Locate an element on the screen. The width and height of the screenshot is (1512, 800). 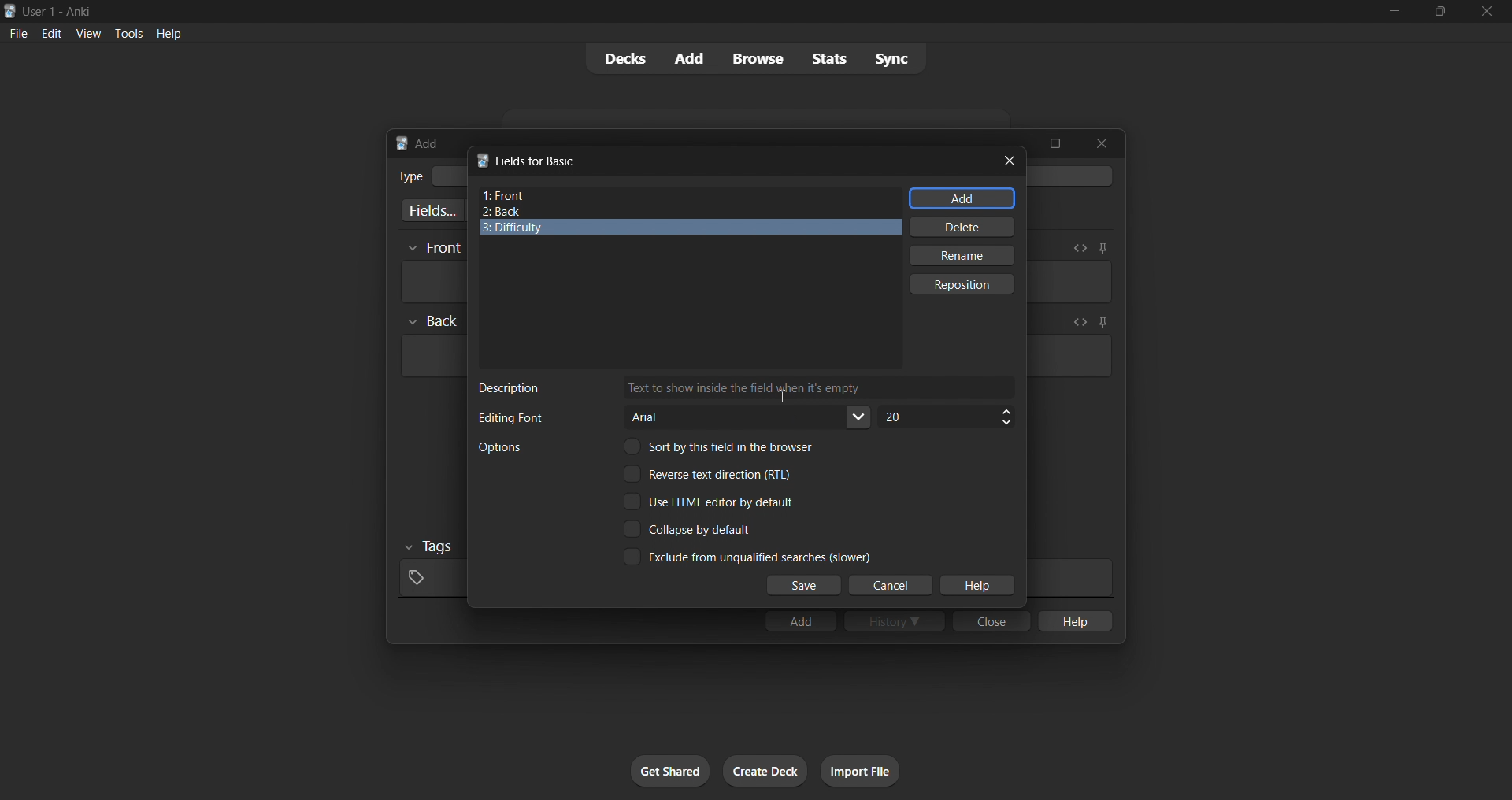
Toggle is located at coordinates (690, 529).